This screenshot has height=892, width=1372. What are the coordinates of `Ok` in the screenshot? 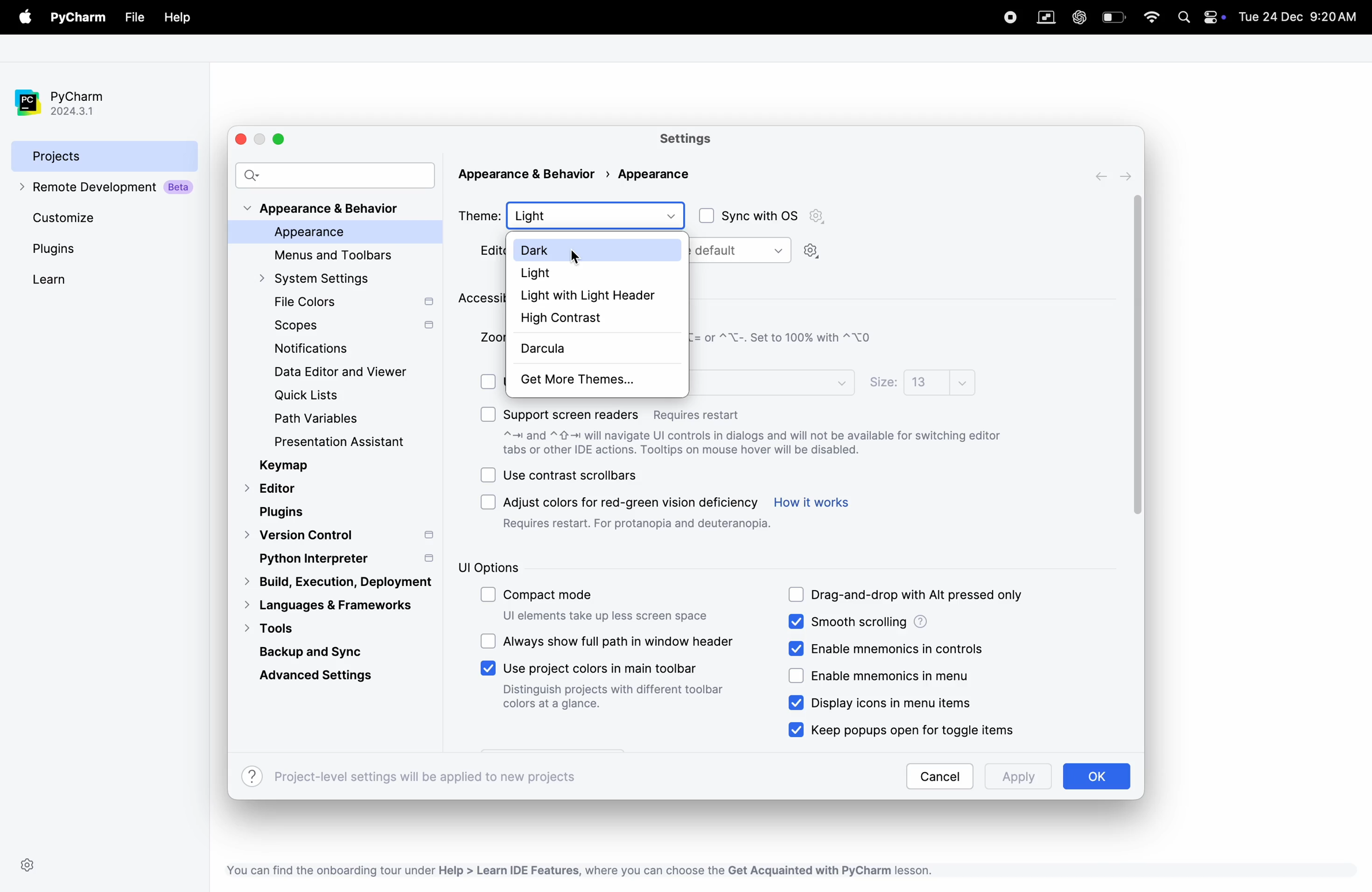 It's located at (1095, 776).